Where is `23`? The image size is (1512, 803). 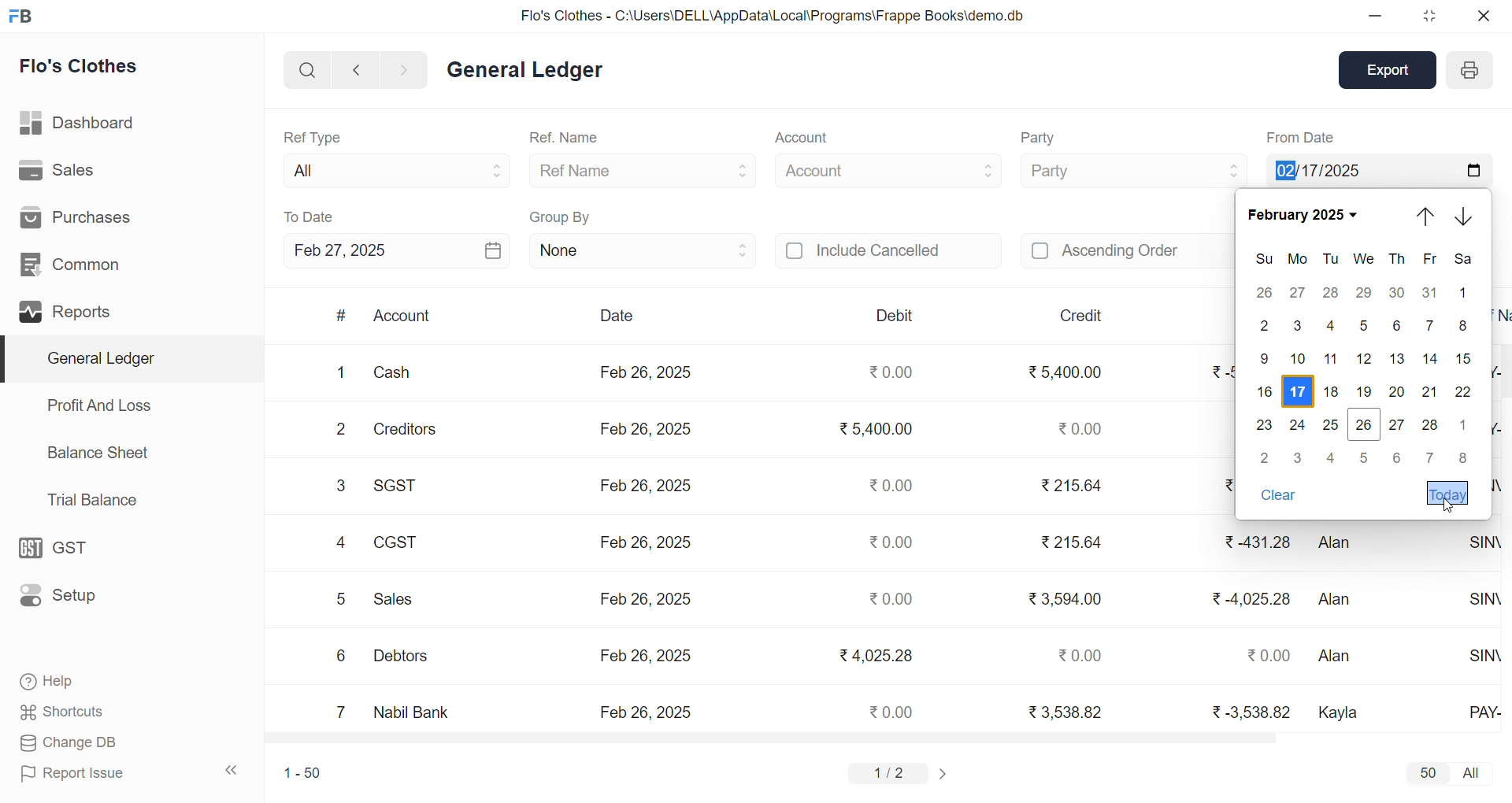 23 is located at coordinates (1263, 426).